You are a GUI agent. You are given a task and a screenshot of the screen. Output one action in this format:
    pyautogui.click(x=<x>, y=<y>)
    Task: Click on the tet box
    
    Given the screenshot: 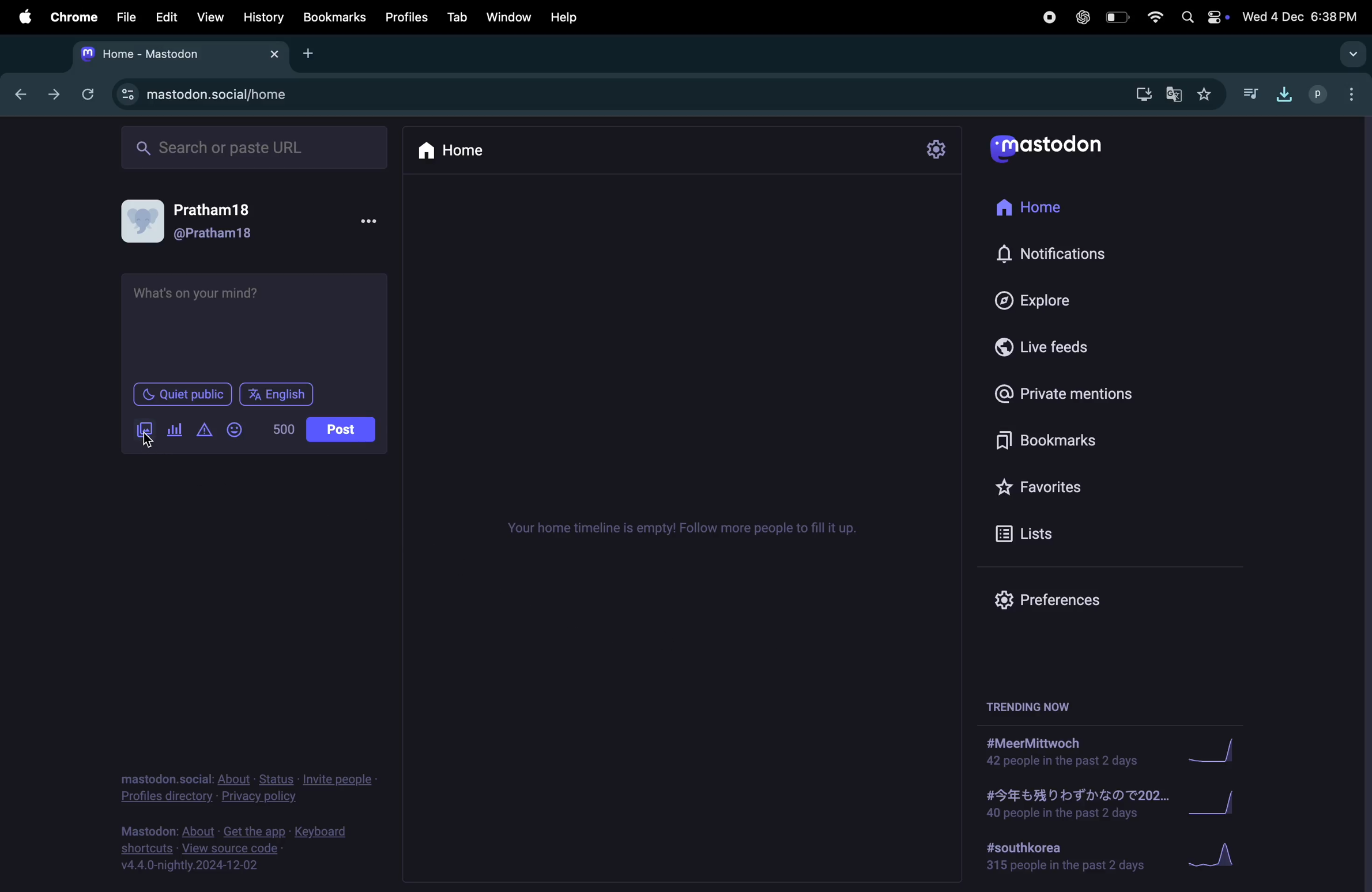 What is the action you would take?
    pyautogui.click(x=254, y=327)
    